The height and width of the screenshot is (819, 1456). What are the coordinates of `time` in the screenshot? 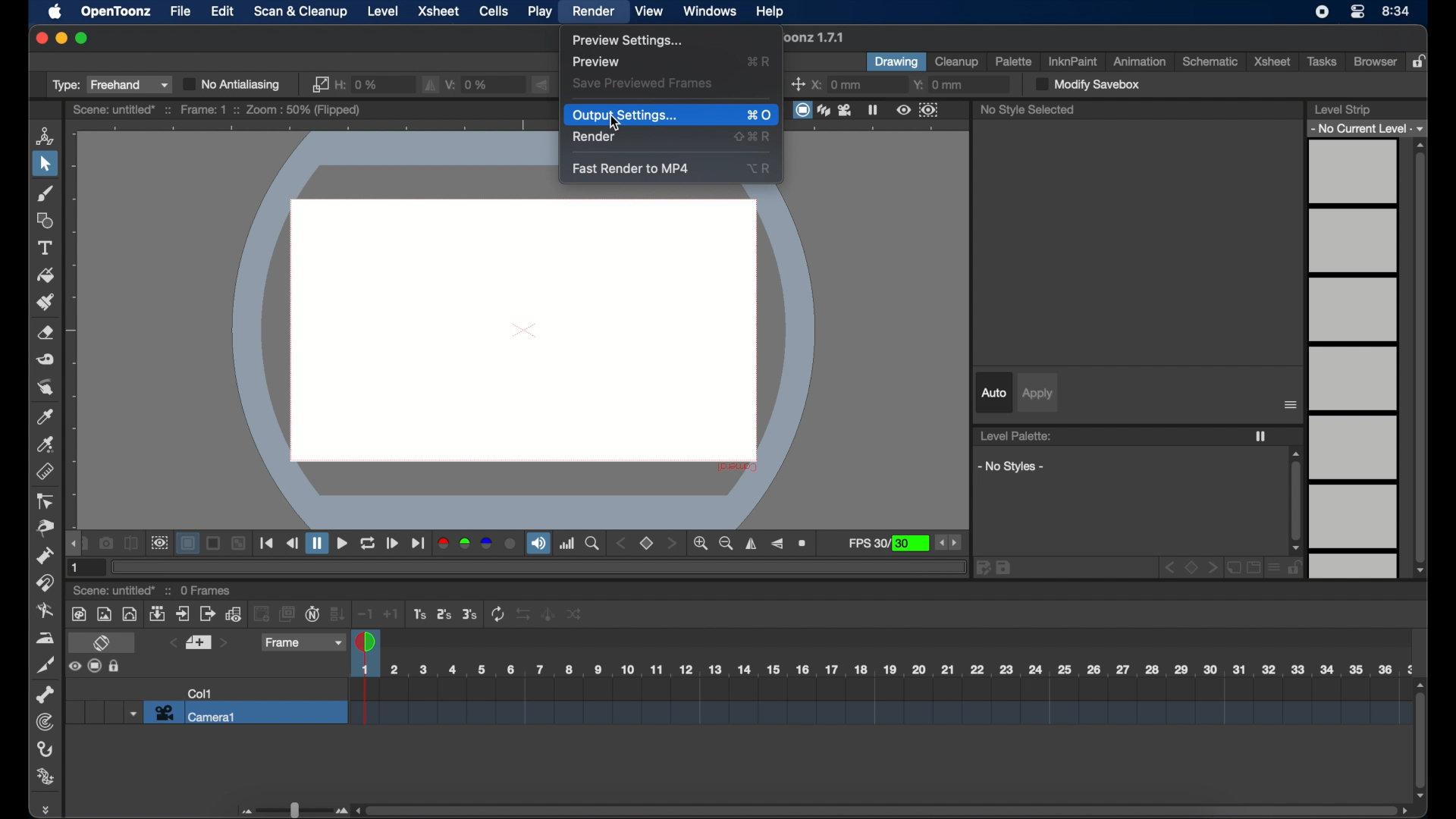 It's located at (1396, 12).